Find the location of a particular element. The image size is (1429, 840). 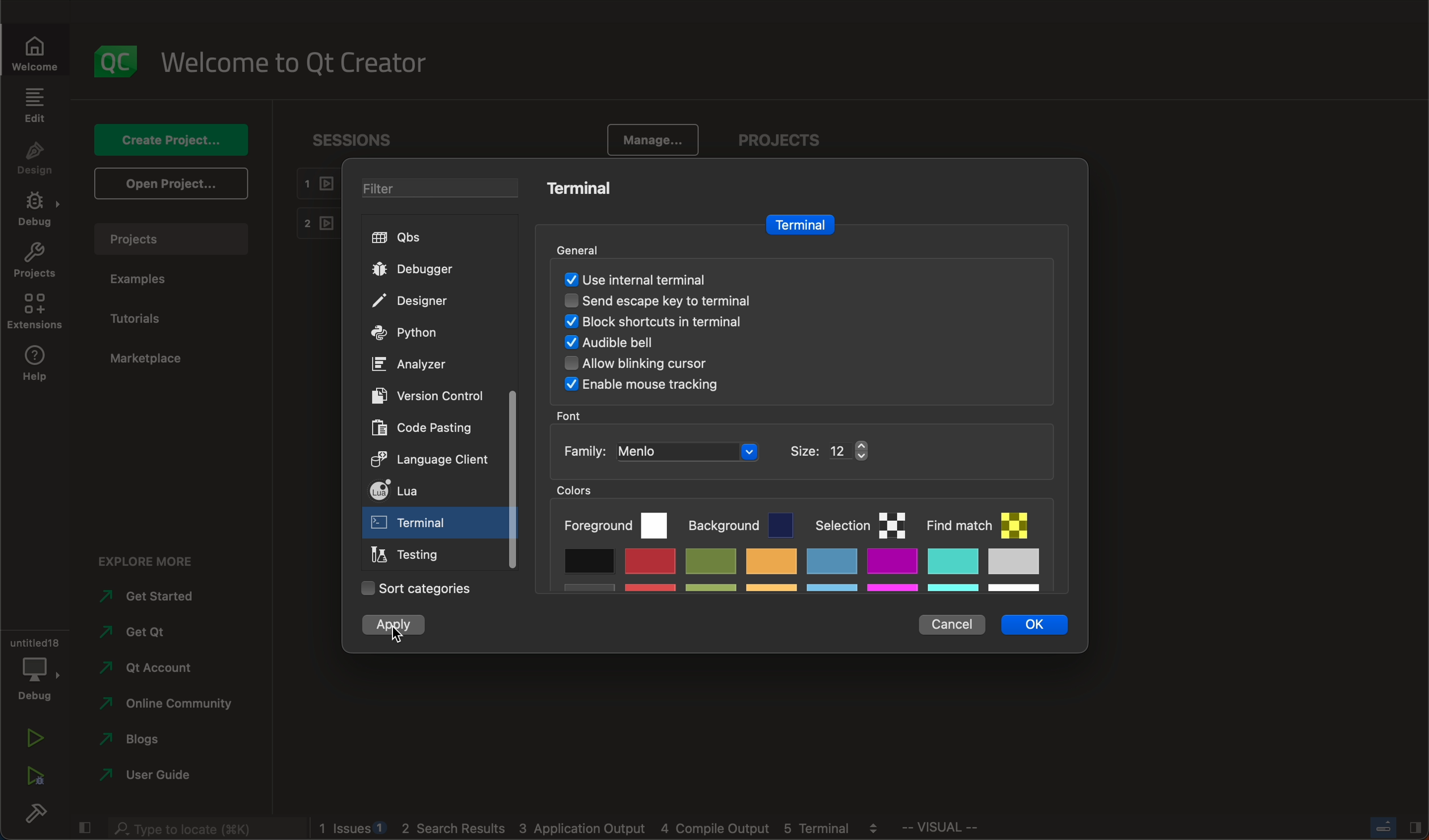

projects is located at coordinates (35, 262).